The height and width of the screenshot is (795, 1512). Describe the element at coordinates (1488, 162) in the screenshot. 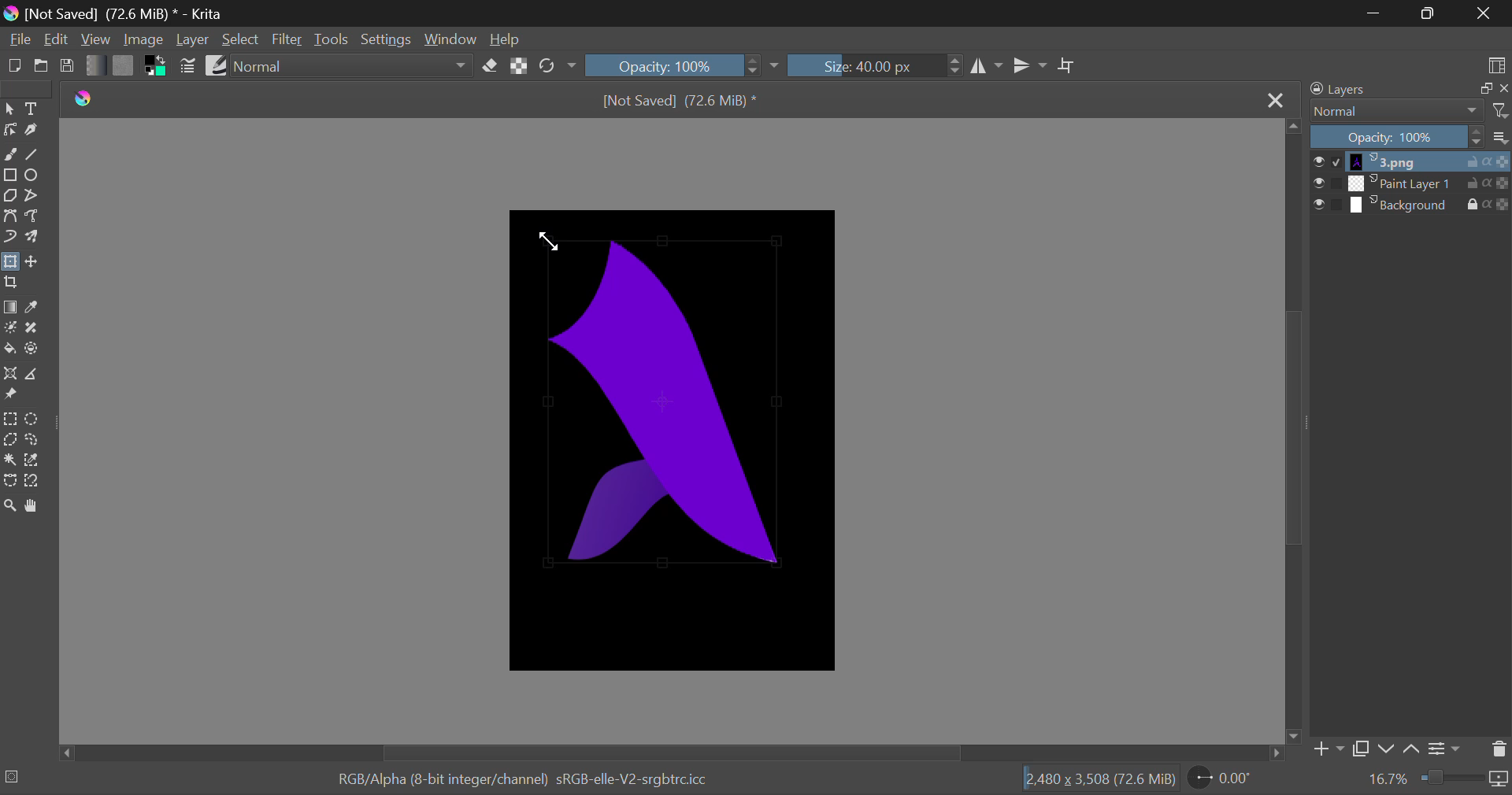

I see `actions` at that location.